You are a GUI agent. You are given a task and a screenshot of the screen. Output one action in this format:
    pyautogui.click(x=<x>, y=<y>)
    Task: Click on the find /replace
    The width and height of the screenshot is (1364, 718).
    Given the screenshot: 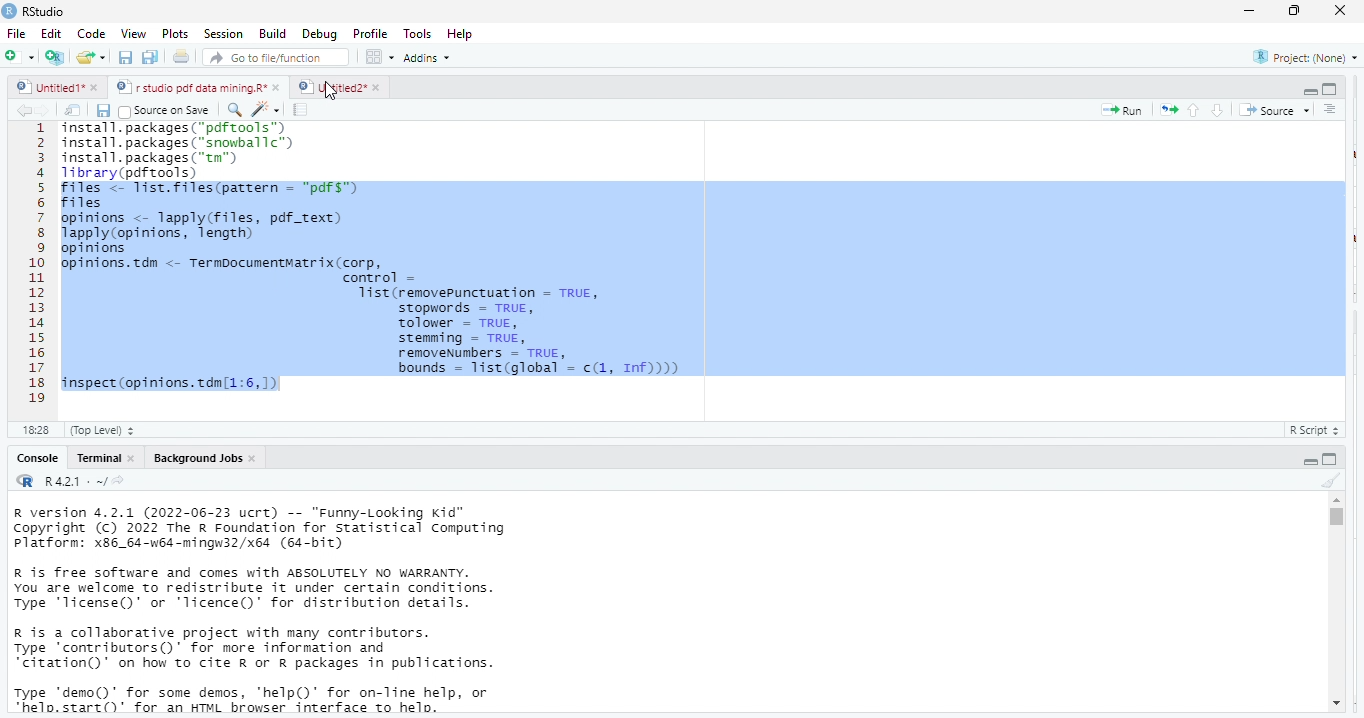 What is the action you would take?
    pyautogui.click(x=234, y=109)
    